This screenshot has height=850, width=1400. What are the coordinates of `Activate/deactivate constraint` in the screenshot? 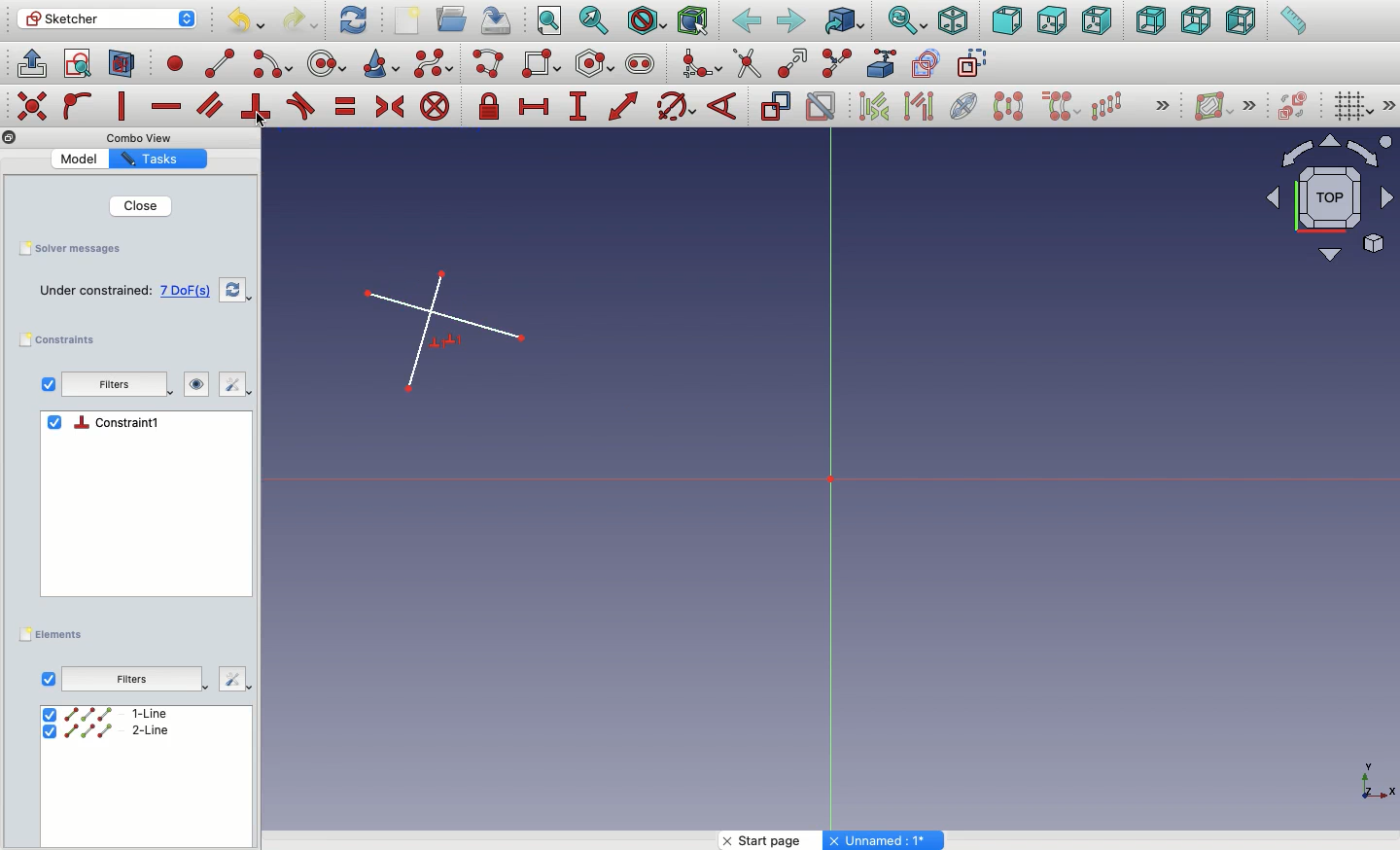 It's located at (822, 106).